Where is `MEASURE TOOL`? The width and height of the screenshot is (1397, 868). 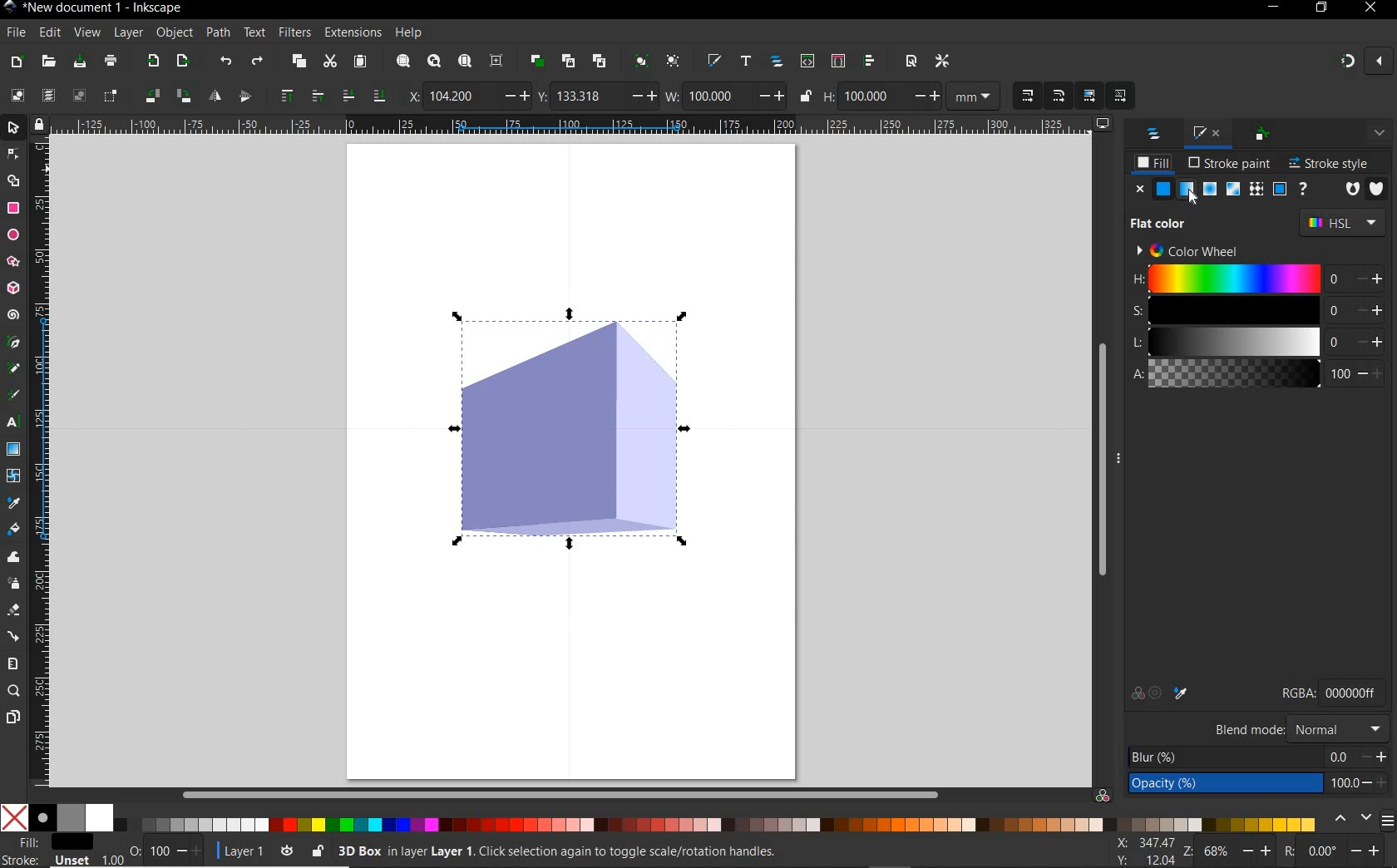
MEASURE TOOL is located at coordinates (13, 662).